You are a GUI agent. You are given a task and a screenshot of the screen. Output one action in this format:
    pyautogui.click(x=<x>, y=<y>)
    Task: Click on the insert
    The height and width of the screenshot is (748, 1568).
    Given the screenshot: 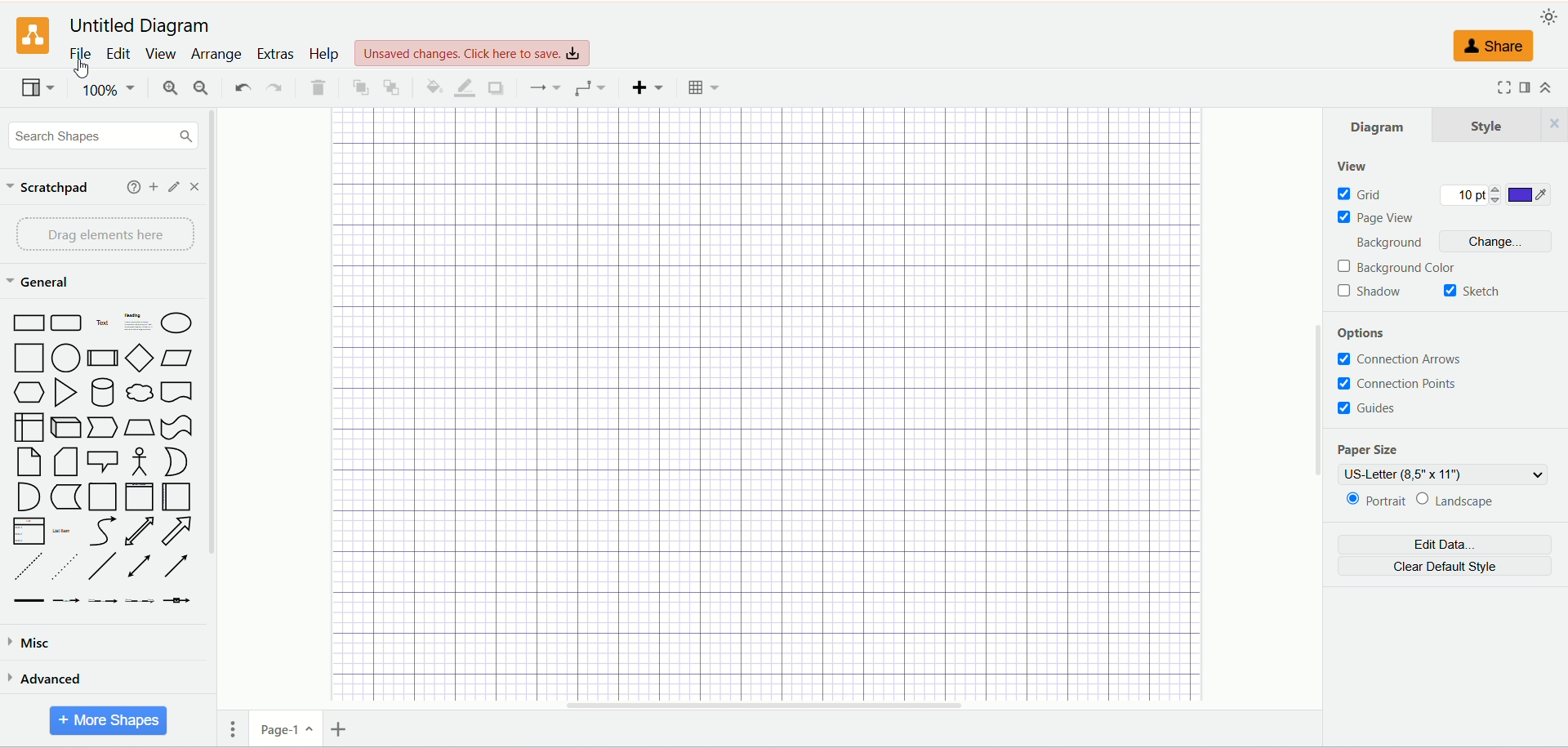 What is the action you would take?
    pyautogui.click(x=647, y=86)
    